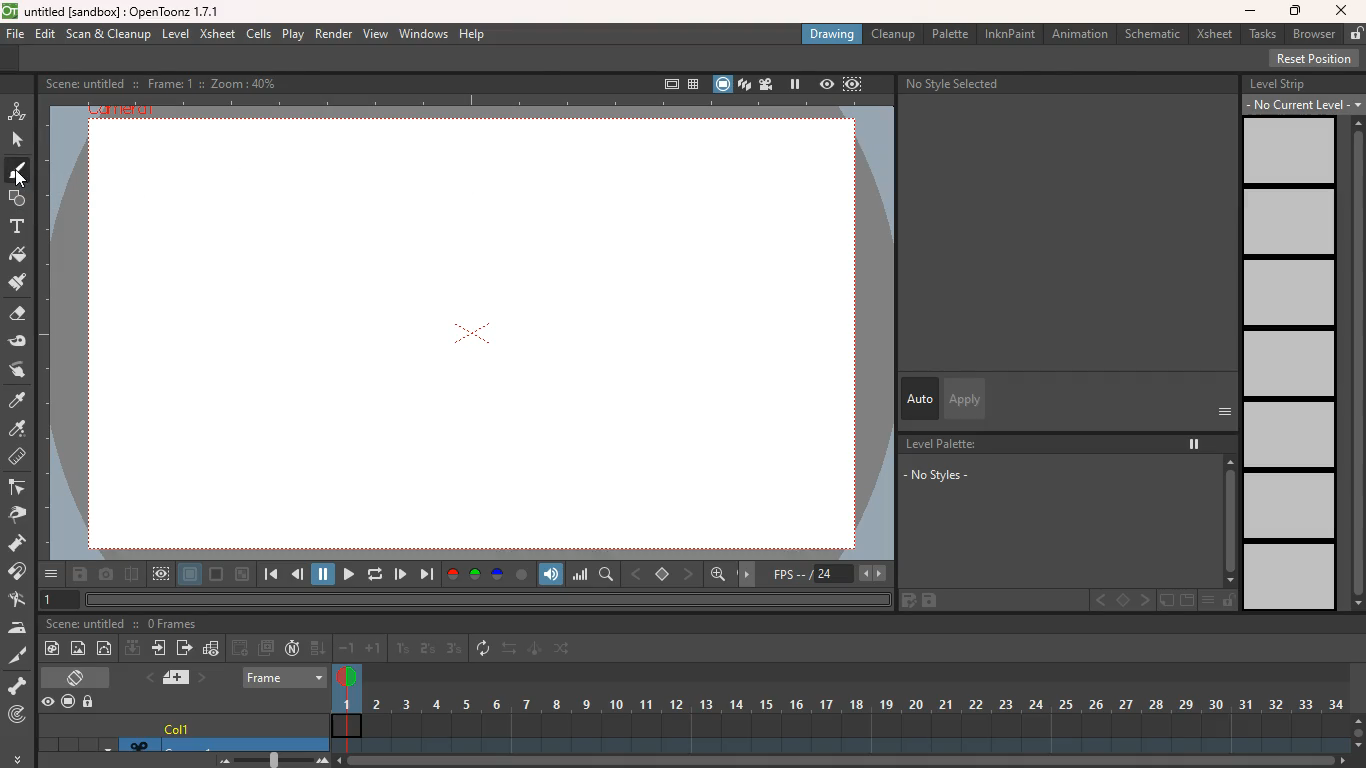 The width and height of the screenshot is (1366, 768). I want to click on measure, so click(19, 458).